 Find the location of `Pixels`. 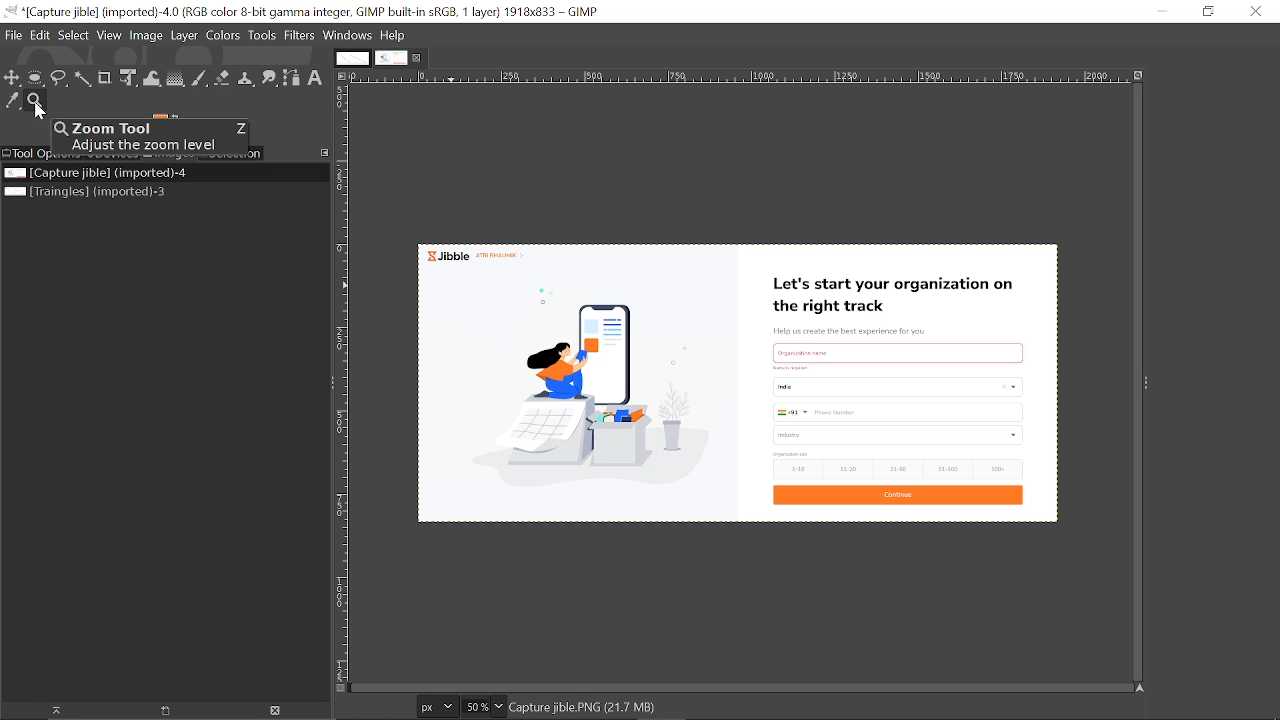

Pixels is located at coordinates (438, 706).